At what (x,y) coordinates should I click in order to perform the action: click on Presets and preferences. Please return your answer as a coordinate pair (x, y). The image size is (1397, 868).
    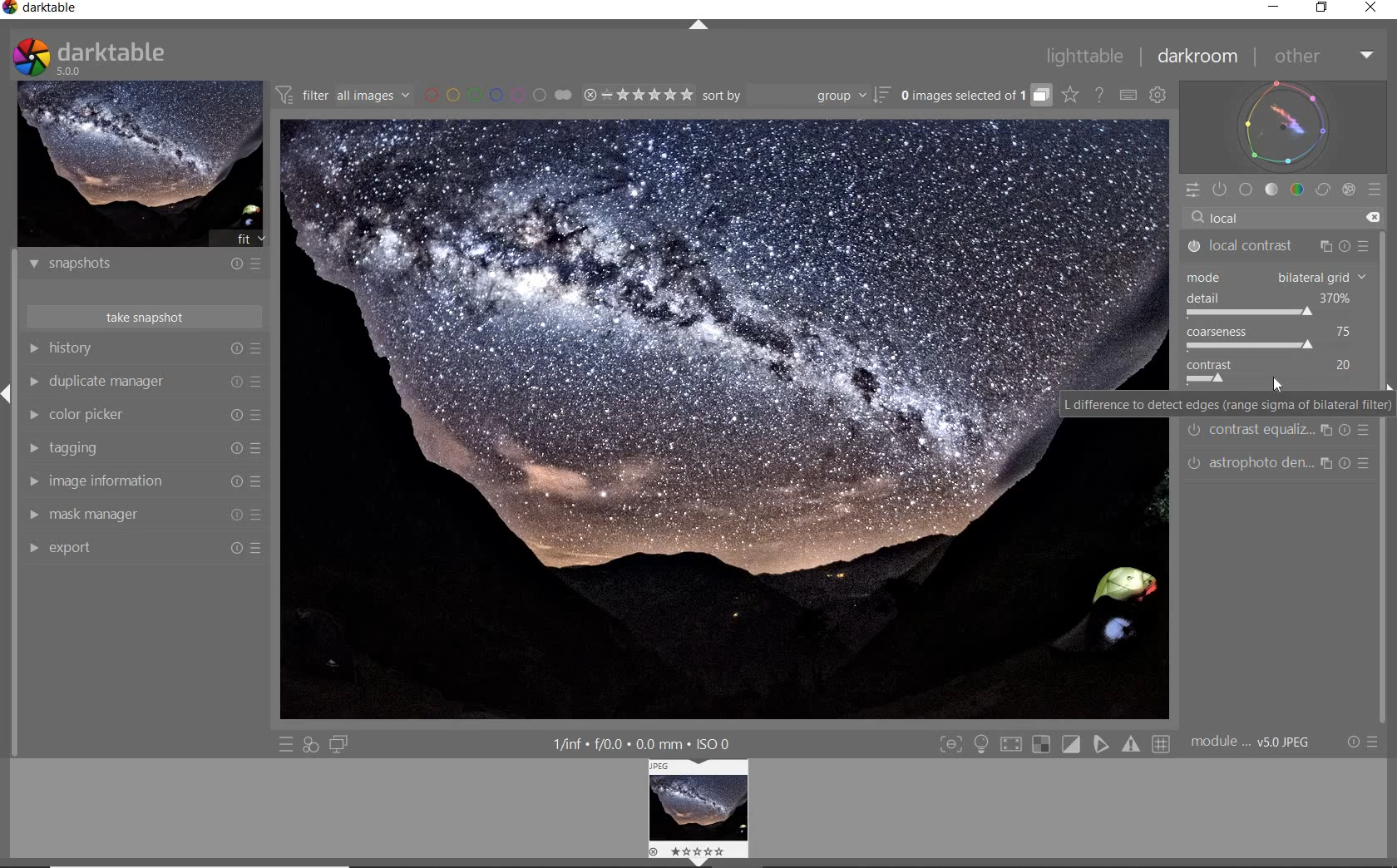
    Looking at the image, I should click on (259, 514).